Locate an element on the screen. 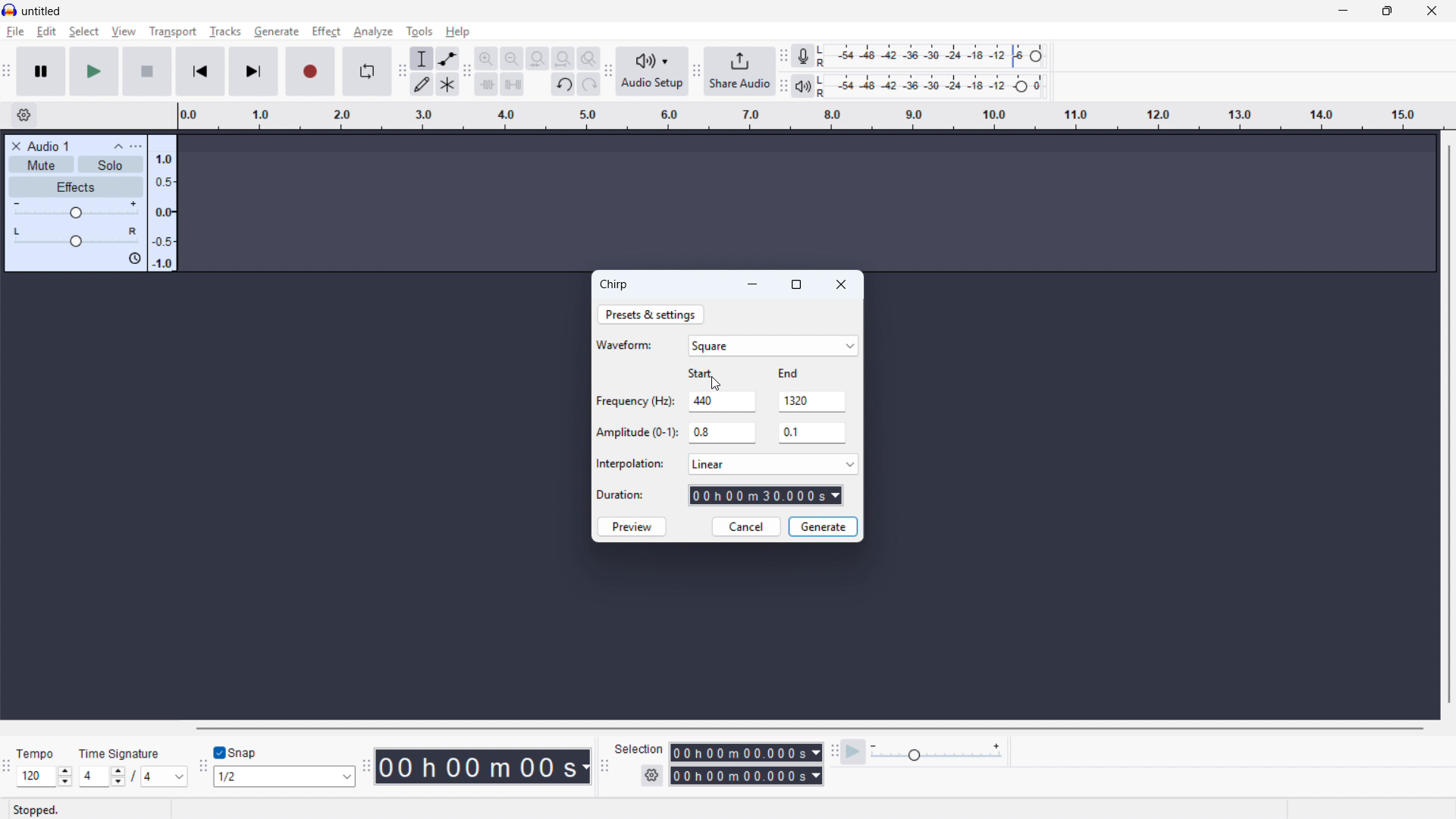 This screenshot has width=1456, height=819. analyse  is located at coordinates (372, 33).